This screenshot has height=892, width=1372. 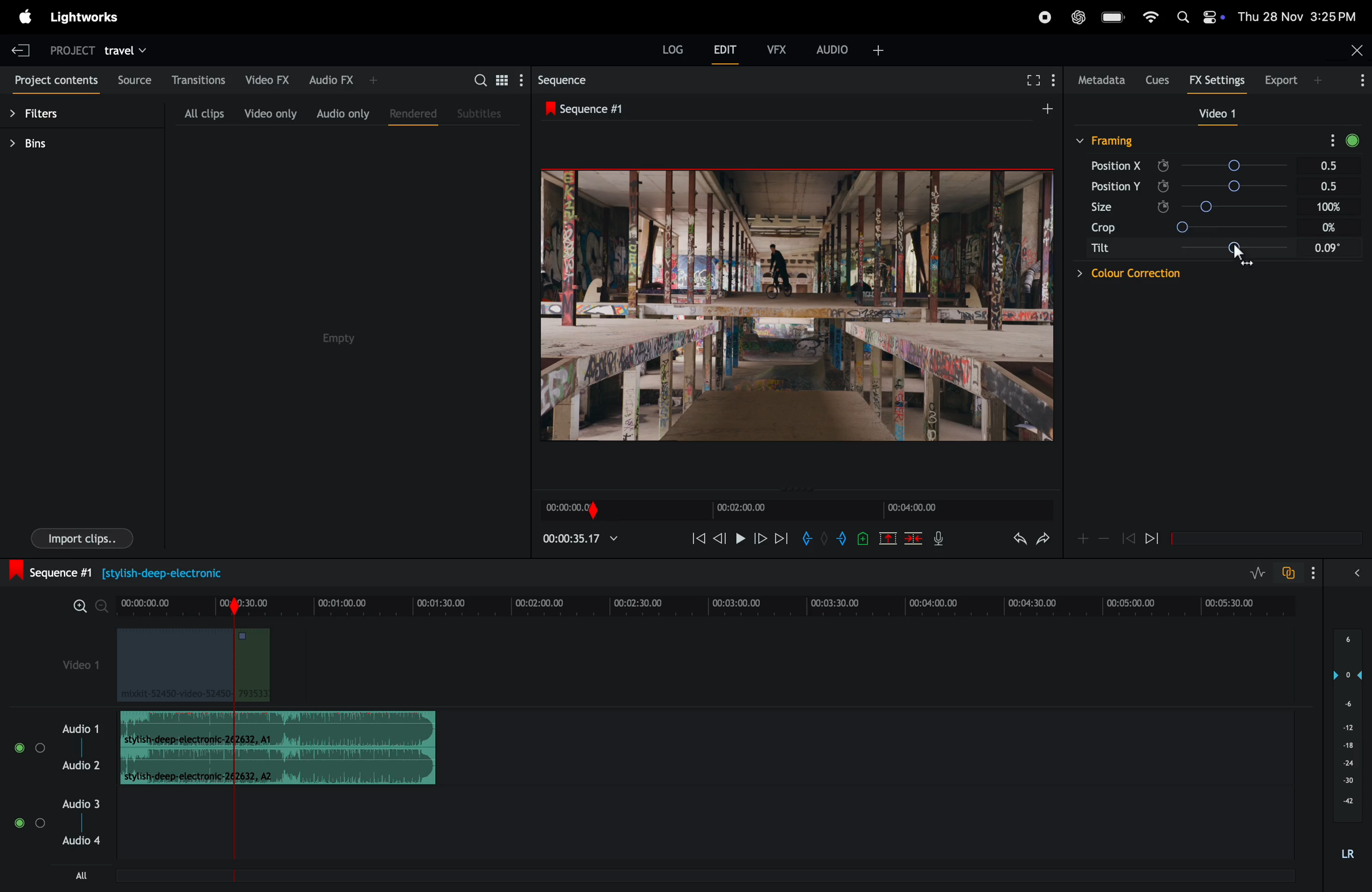 I want to click on project, so click(x=74, y=48).